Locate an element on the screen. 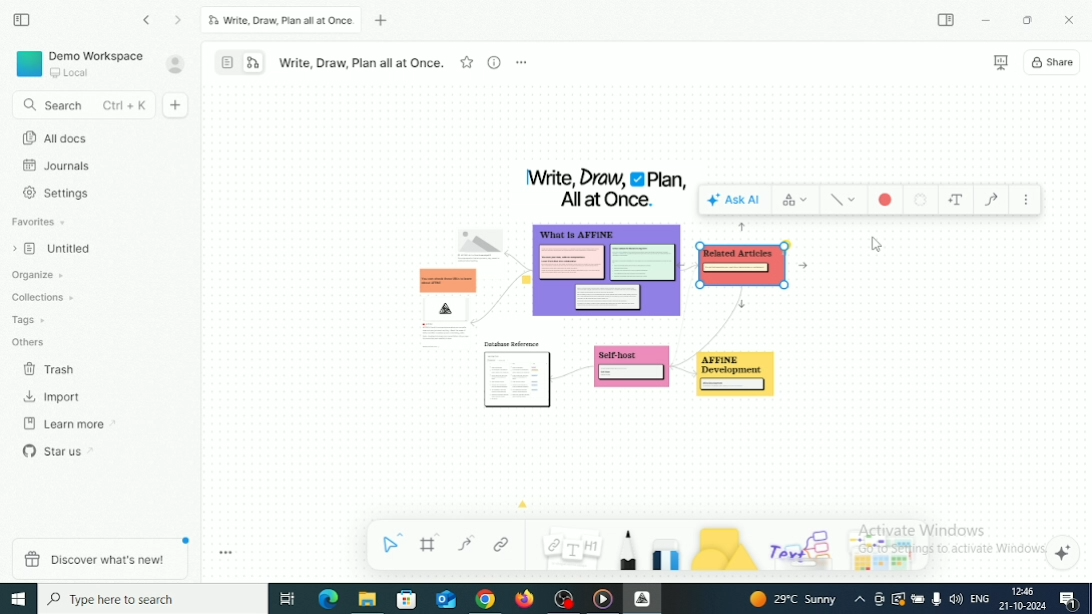 The width and height of the screenshot is (1092, 614). Pen is located at coordinates (627, 550).